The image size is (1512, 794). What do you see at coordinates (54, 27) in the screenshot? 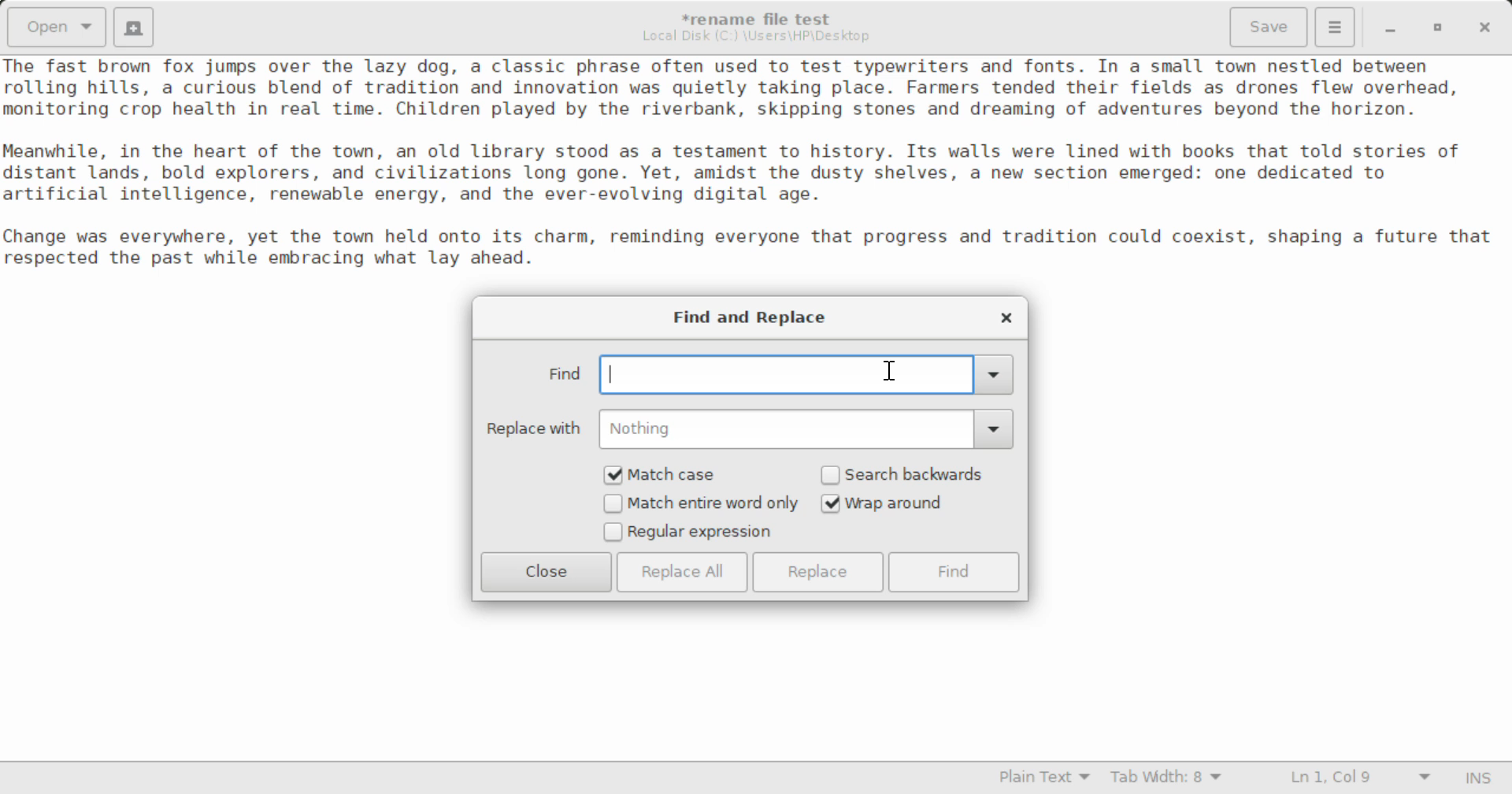
I see `Open Document` at bounding box center [54, 27].